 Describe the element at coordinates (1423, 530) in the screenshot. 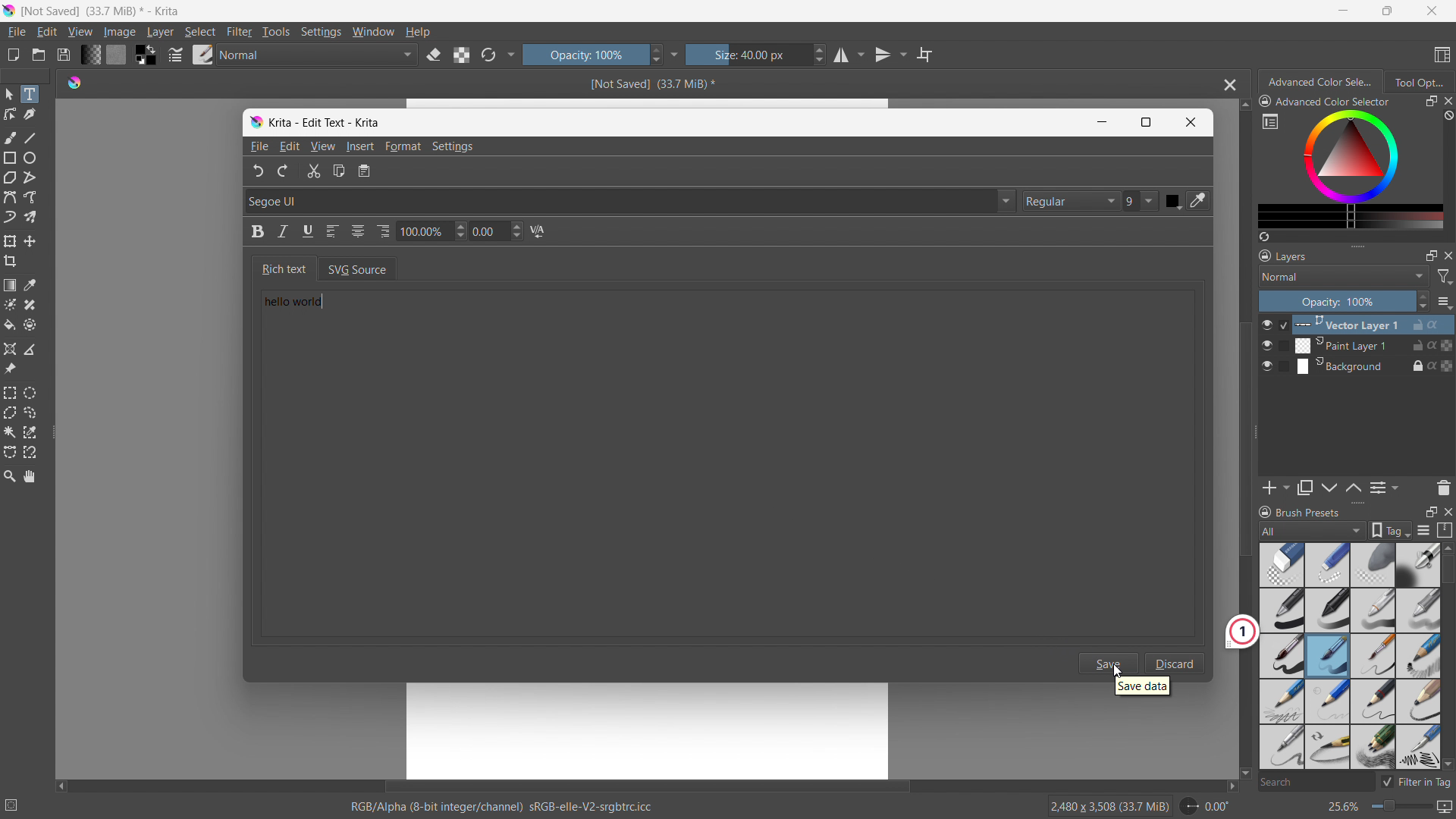

I see `display settings` at that location.